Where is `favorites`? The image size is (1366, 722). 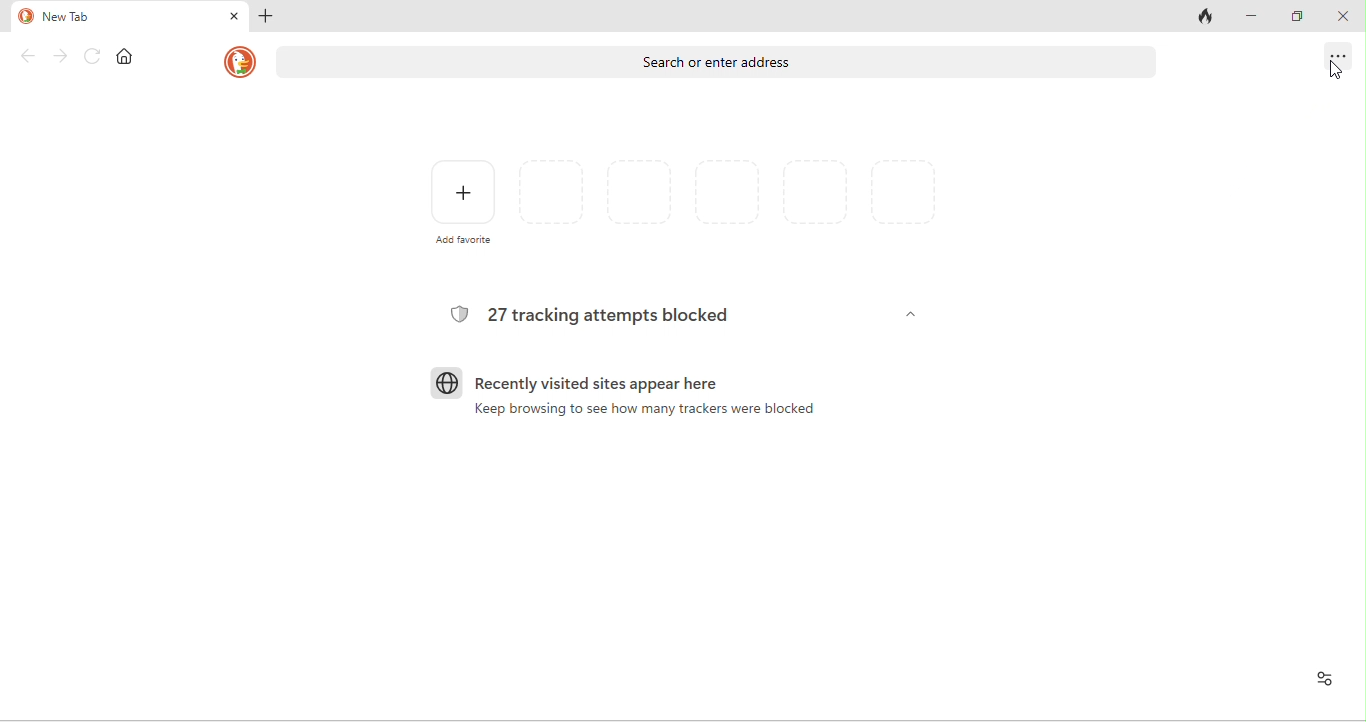 favorites is located at coordinates (728, 196).